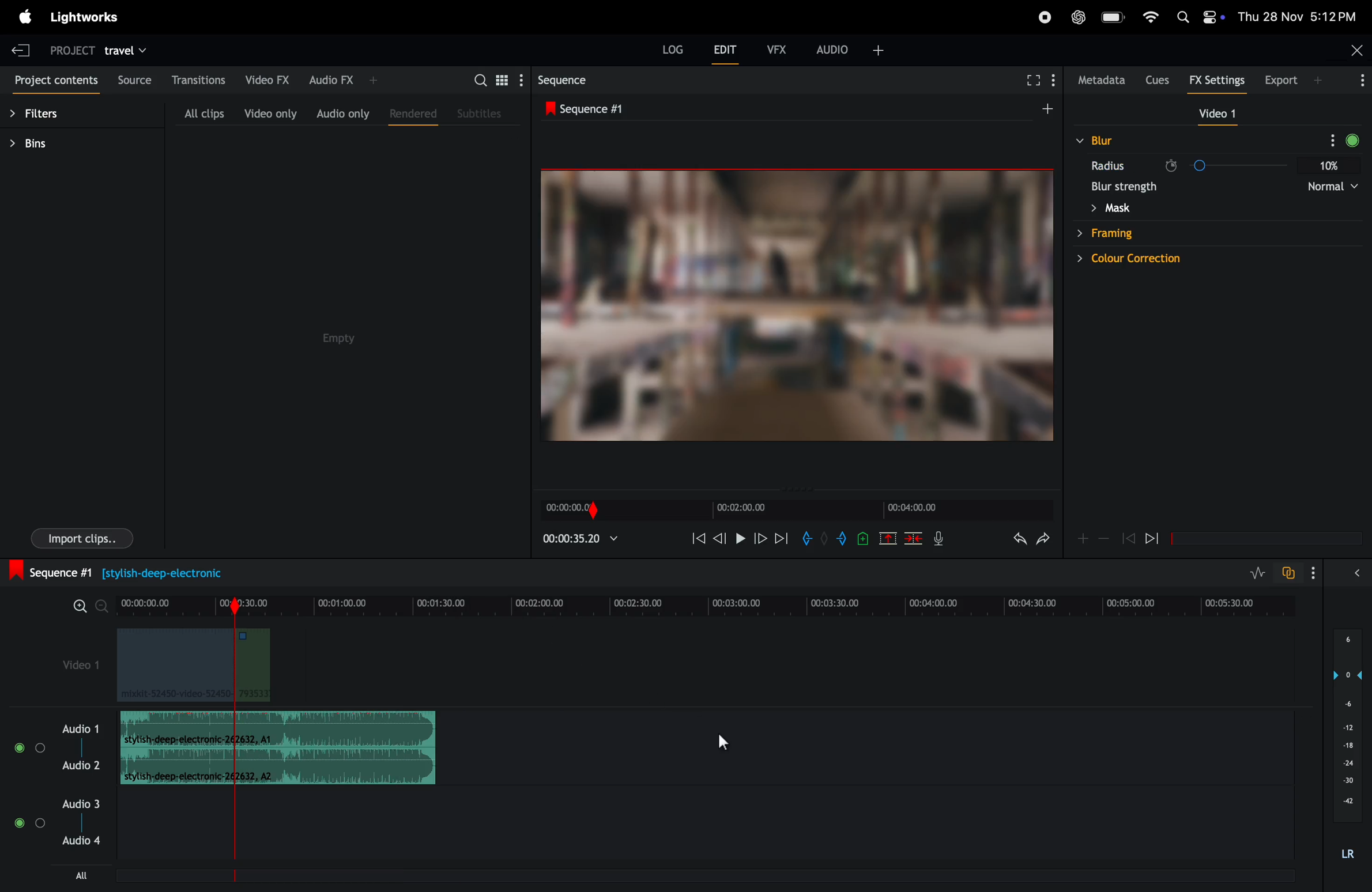 This screenshot has width=1372, height=892. What do you see at coordinates (1359, 79) in the screenshot?
I see `options` at bounding box center [1359, 79].